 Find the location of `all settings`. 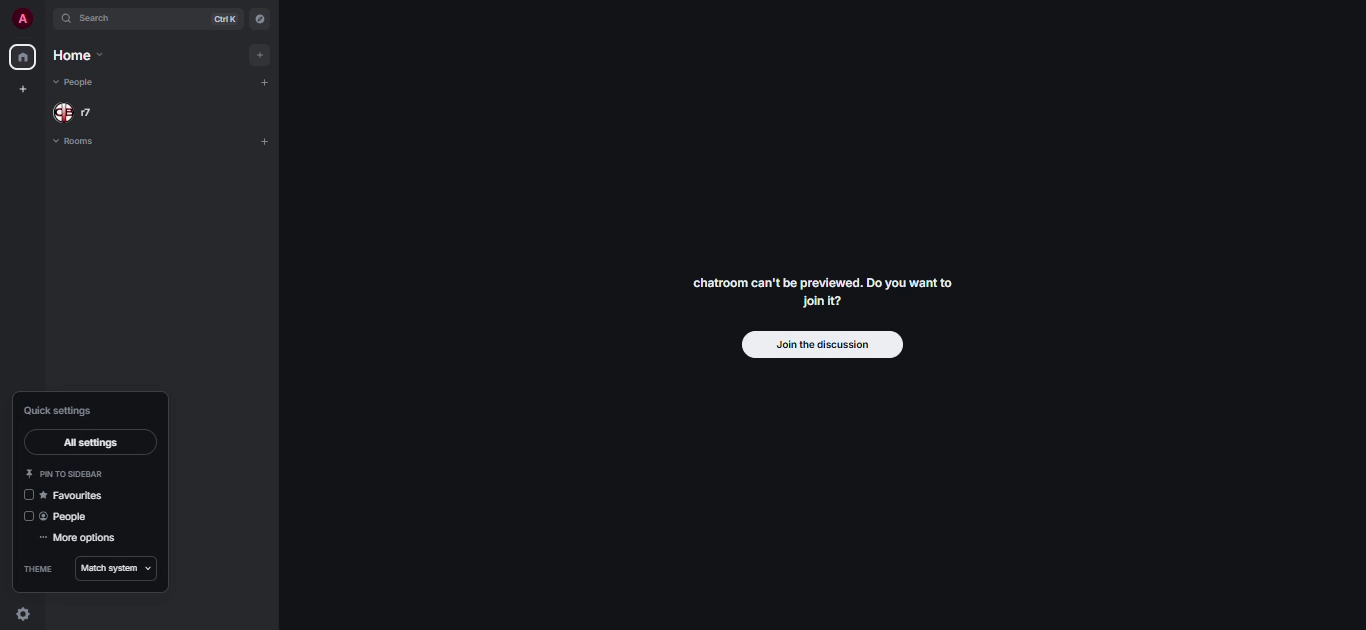

all settings is located at coordinates (88, 442).